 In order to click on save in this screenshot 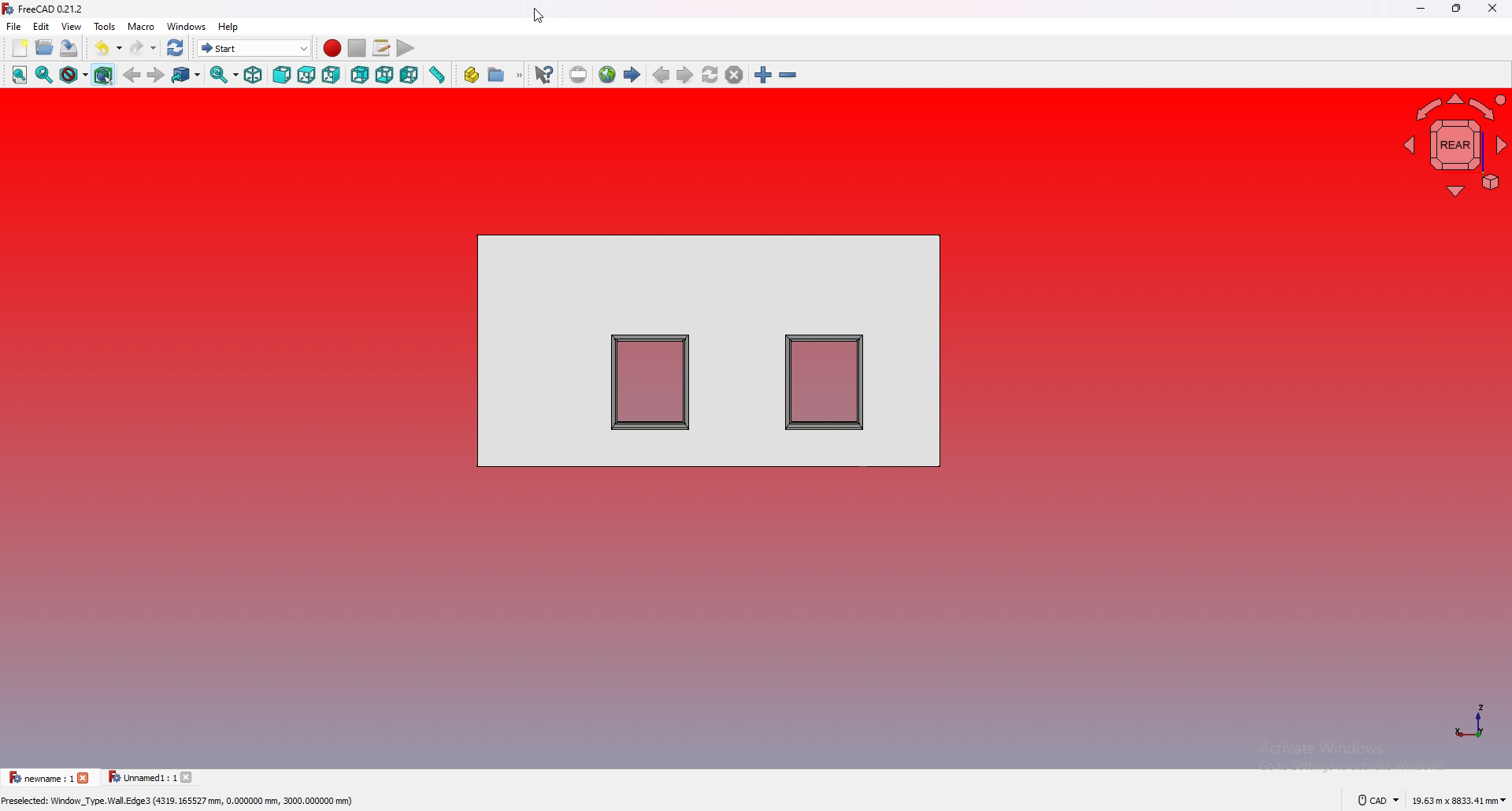, I will do `click(69, 47)`.